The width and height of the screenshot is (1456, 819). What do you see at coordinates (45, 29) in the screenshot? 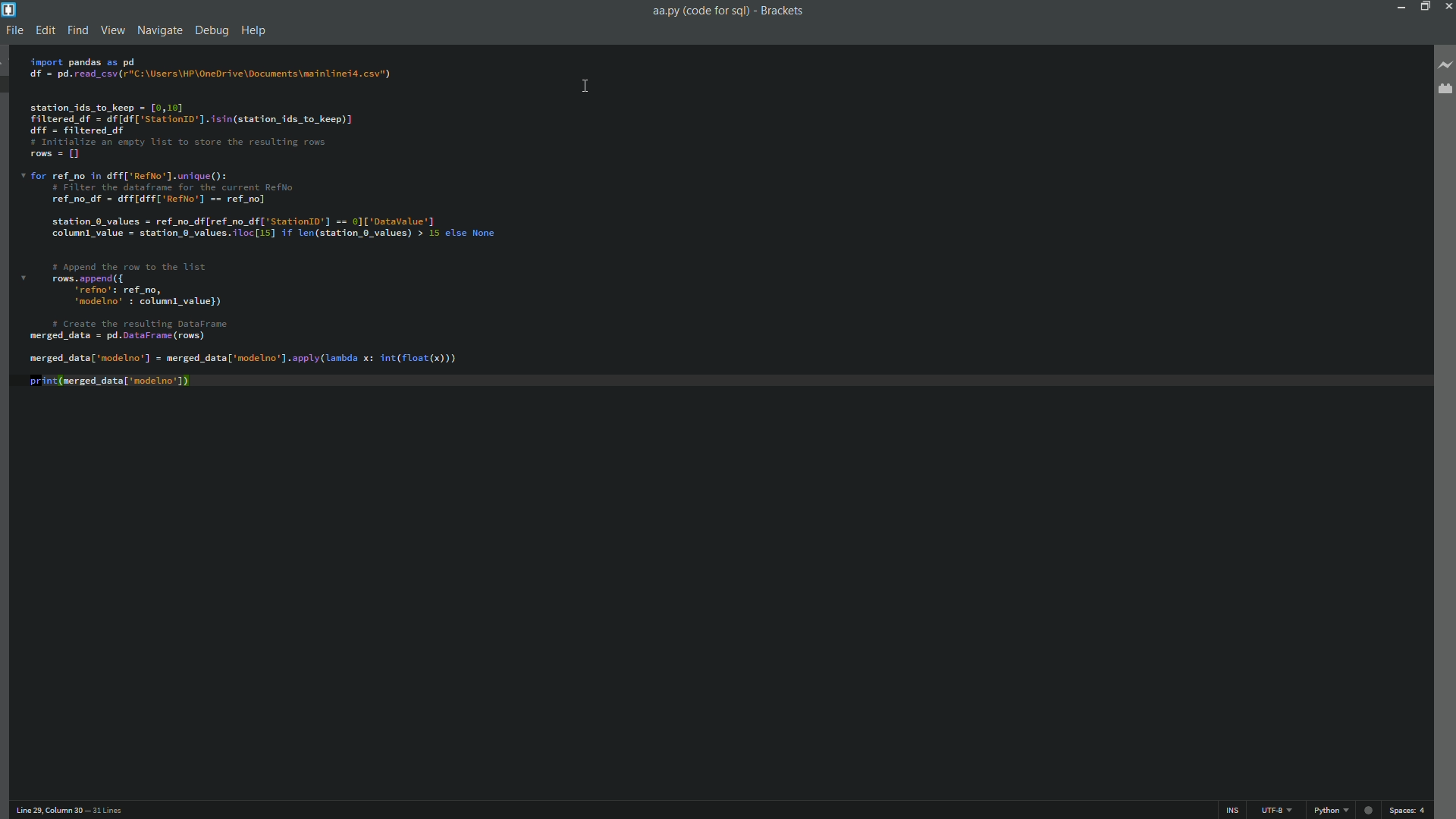
I see `edit menu` at bounding box center [45, 29].